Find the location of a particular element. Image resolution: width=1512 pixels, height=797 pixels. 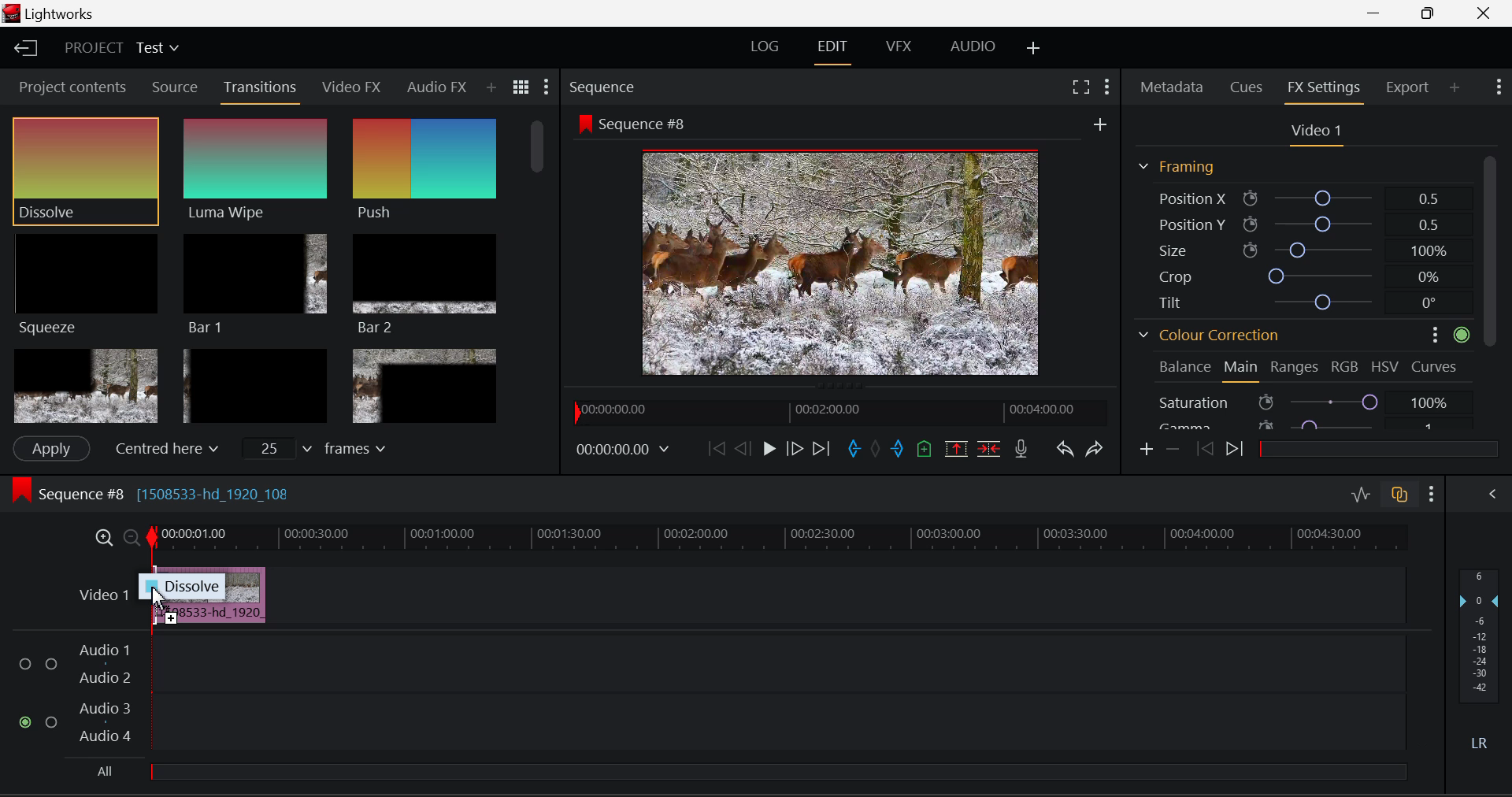

Crop is located at coordinates (1296, 275).